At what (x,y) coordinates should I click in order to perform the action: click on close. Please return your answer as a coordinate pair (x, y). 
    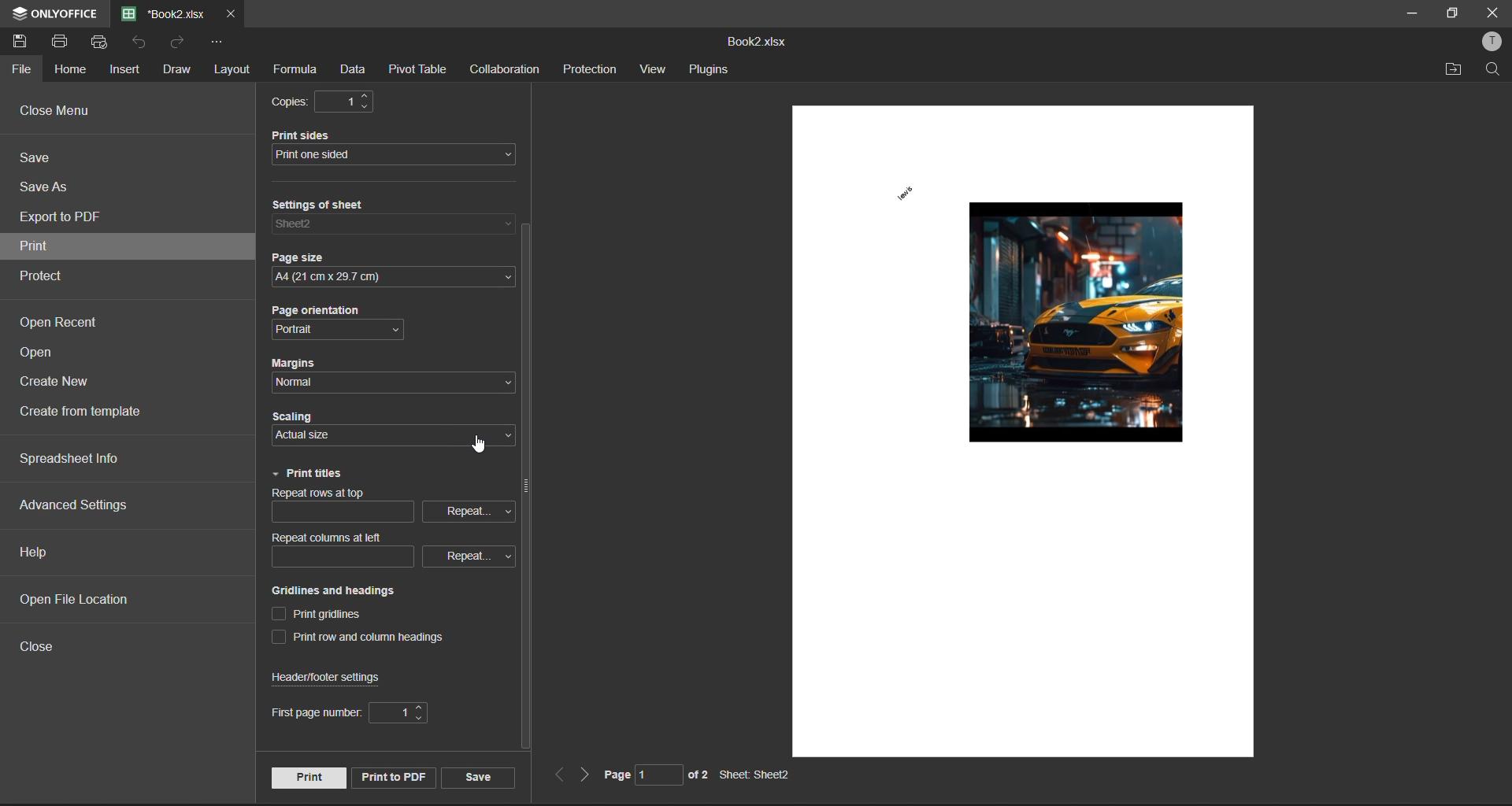
    Looking at the image, I should click on (41, 645).